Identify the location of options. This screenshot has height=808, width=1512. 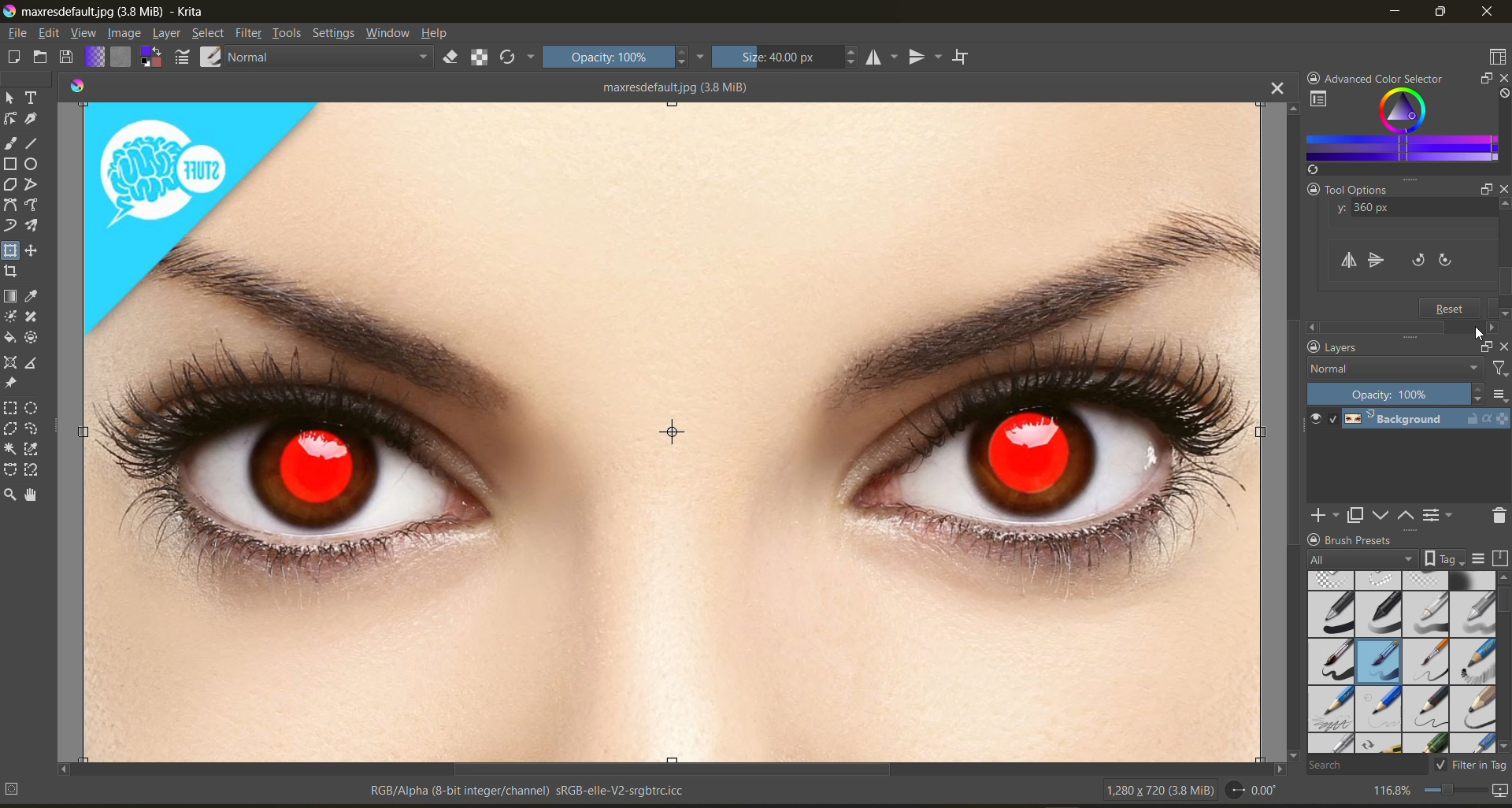
(1499, 395).